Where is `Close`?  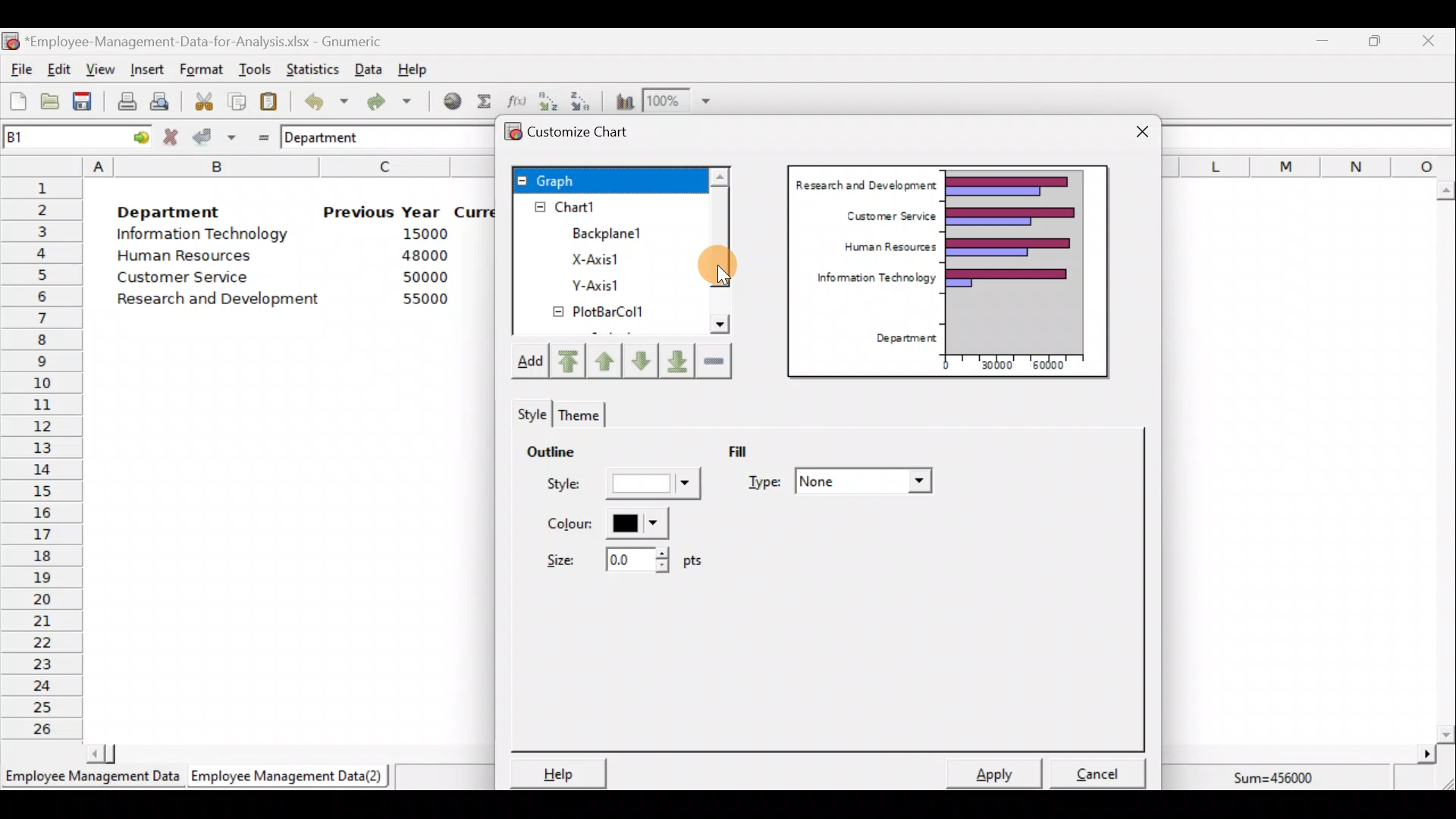
Close is located at coordinates (1142, 133).